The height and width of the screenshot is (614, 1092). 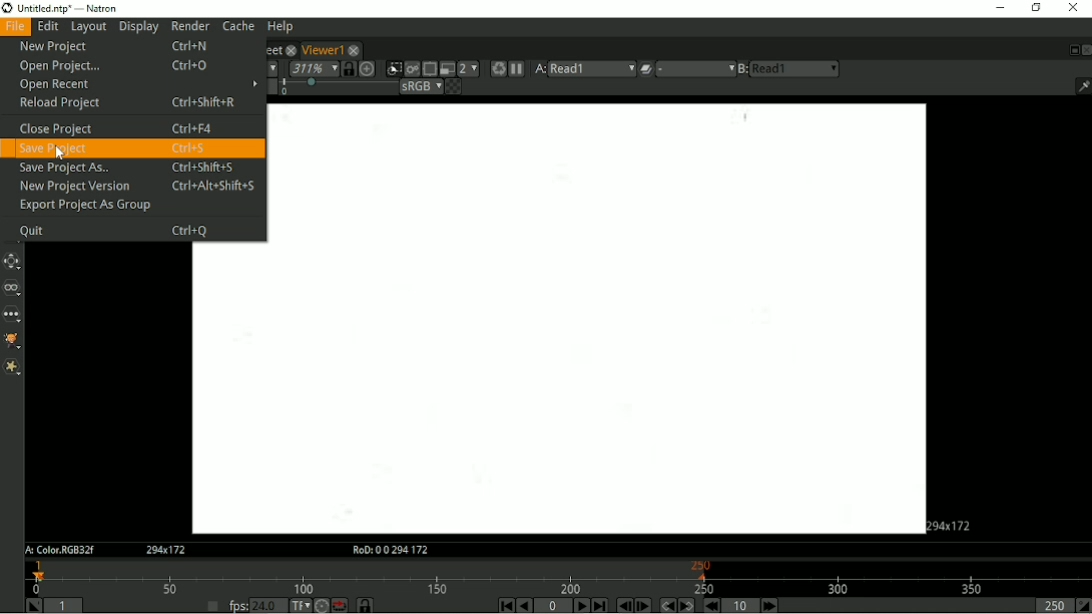 I want to click on Render image, so click(x=411, y=69).